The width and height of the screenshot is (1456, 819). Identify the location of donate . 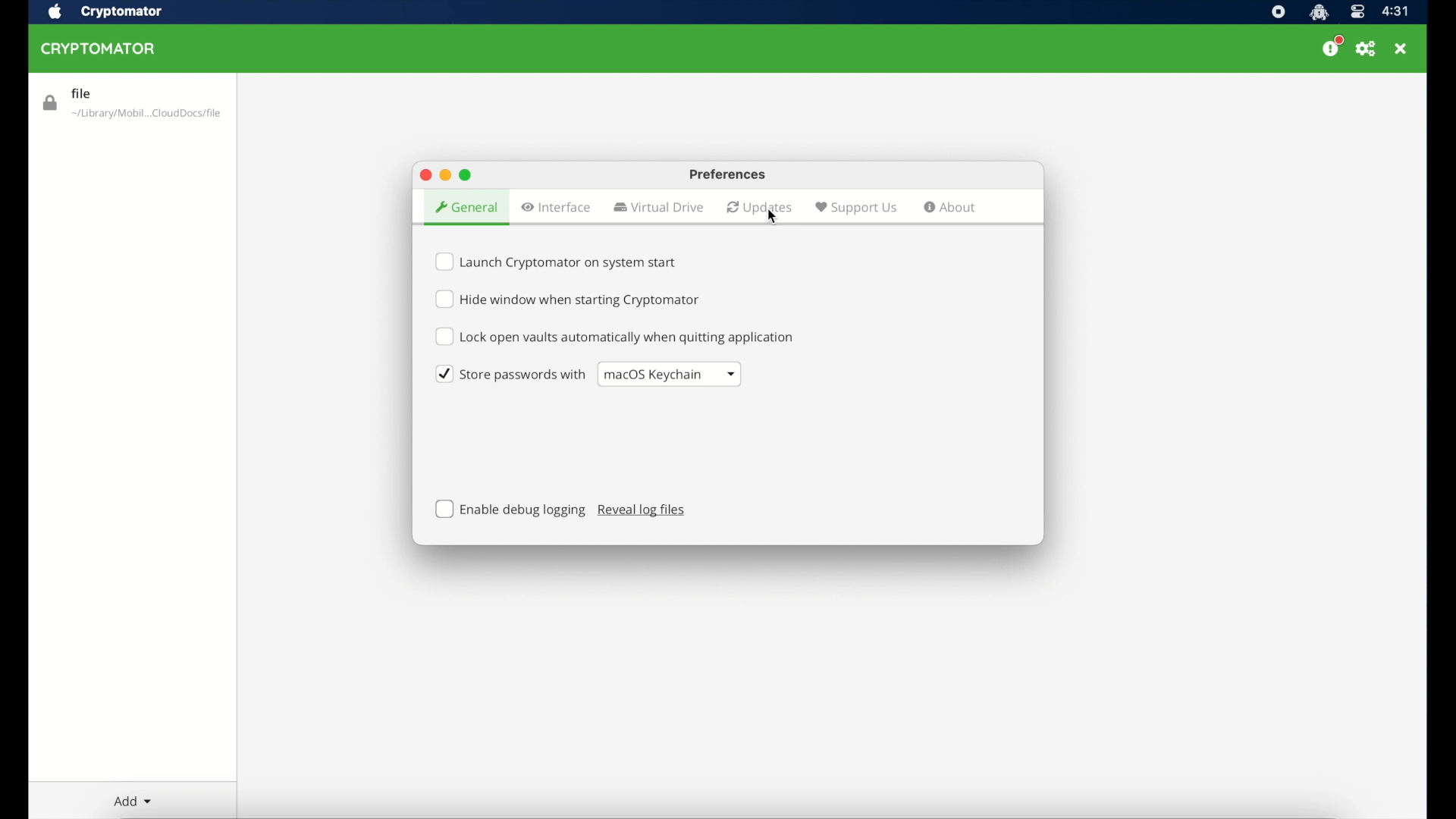
(1330, 47).